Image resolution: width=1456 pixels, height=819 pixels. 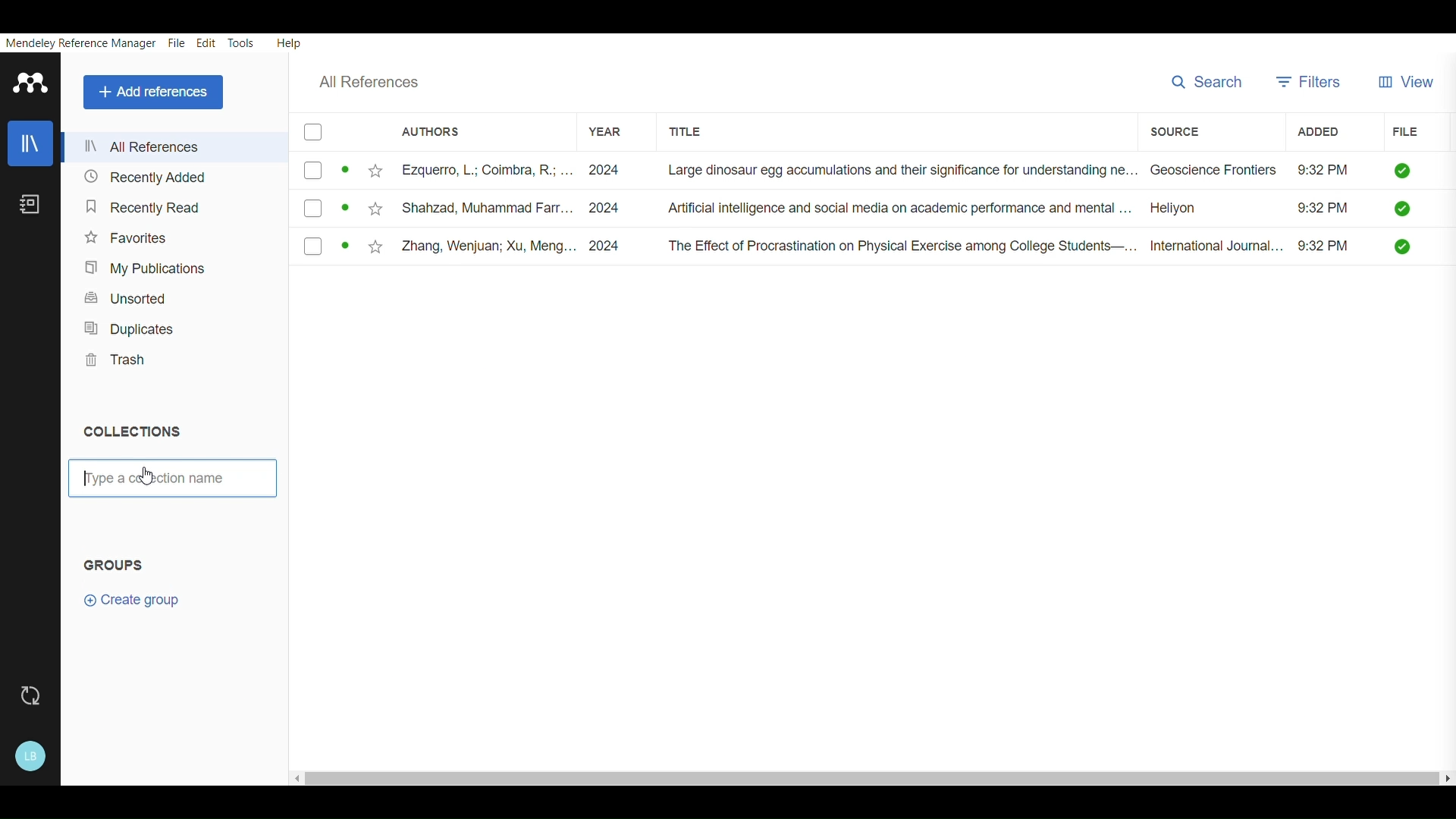 What do you see at coordinates (128, 604) in the screenshot?
I see `Create group` at bounding box center [128, 604].